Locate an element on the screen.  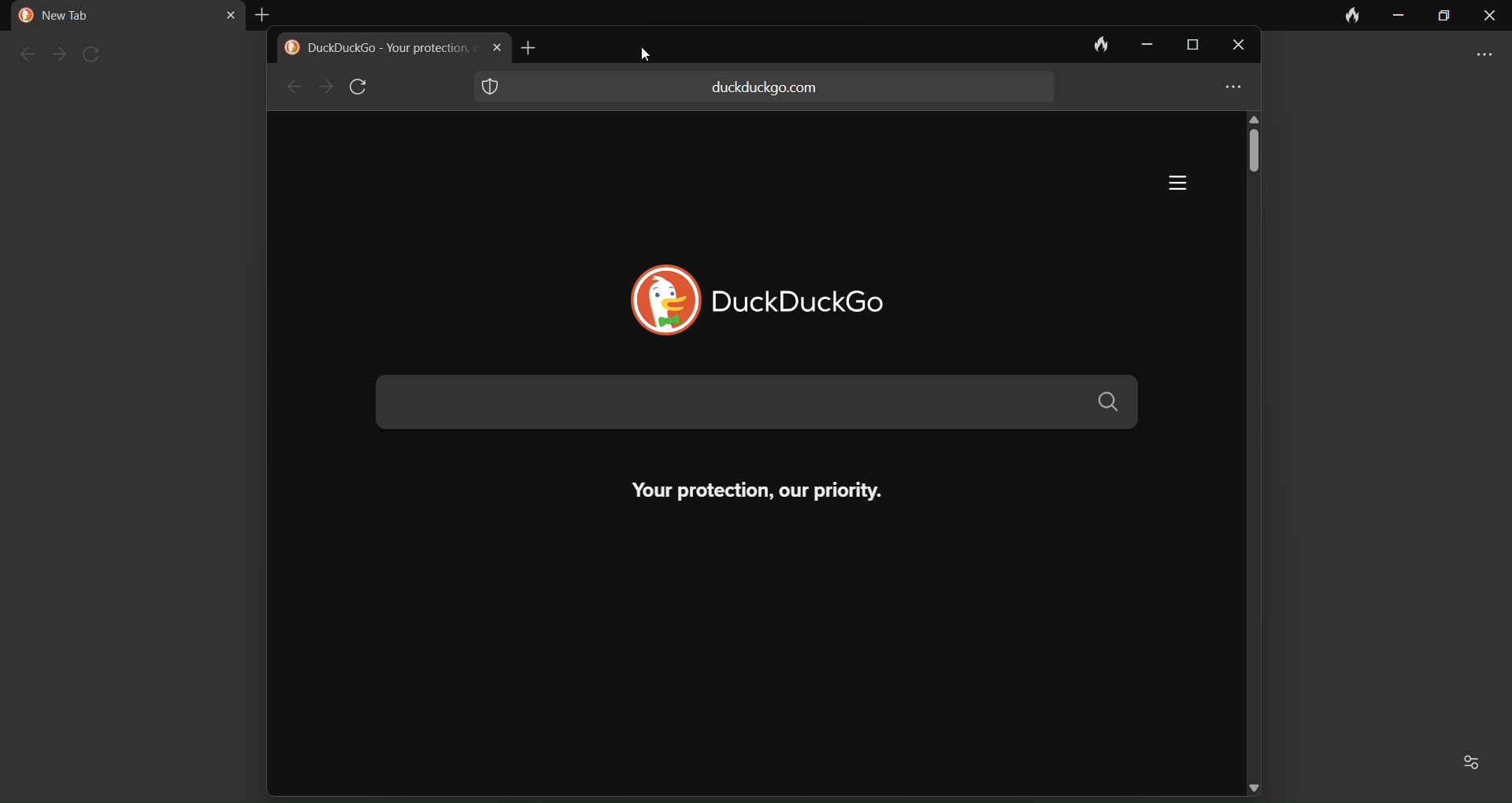
add tab is located at coordinates (265, 13).